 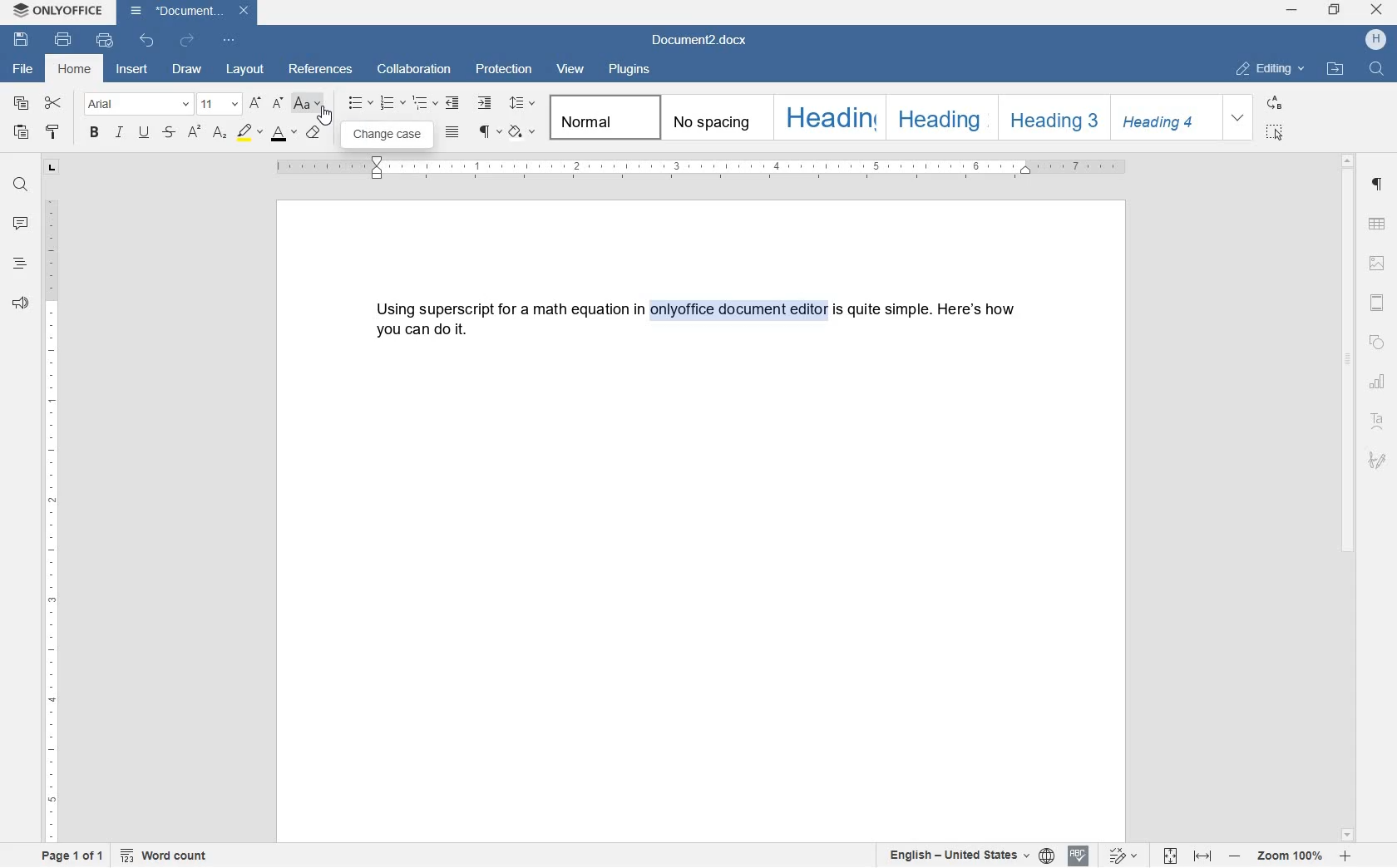 I want to click on header & footer, so click(x=1380, y=303).